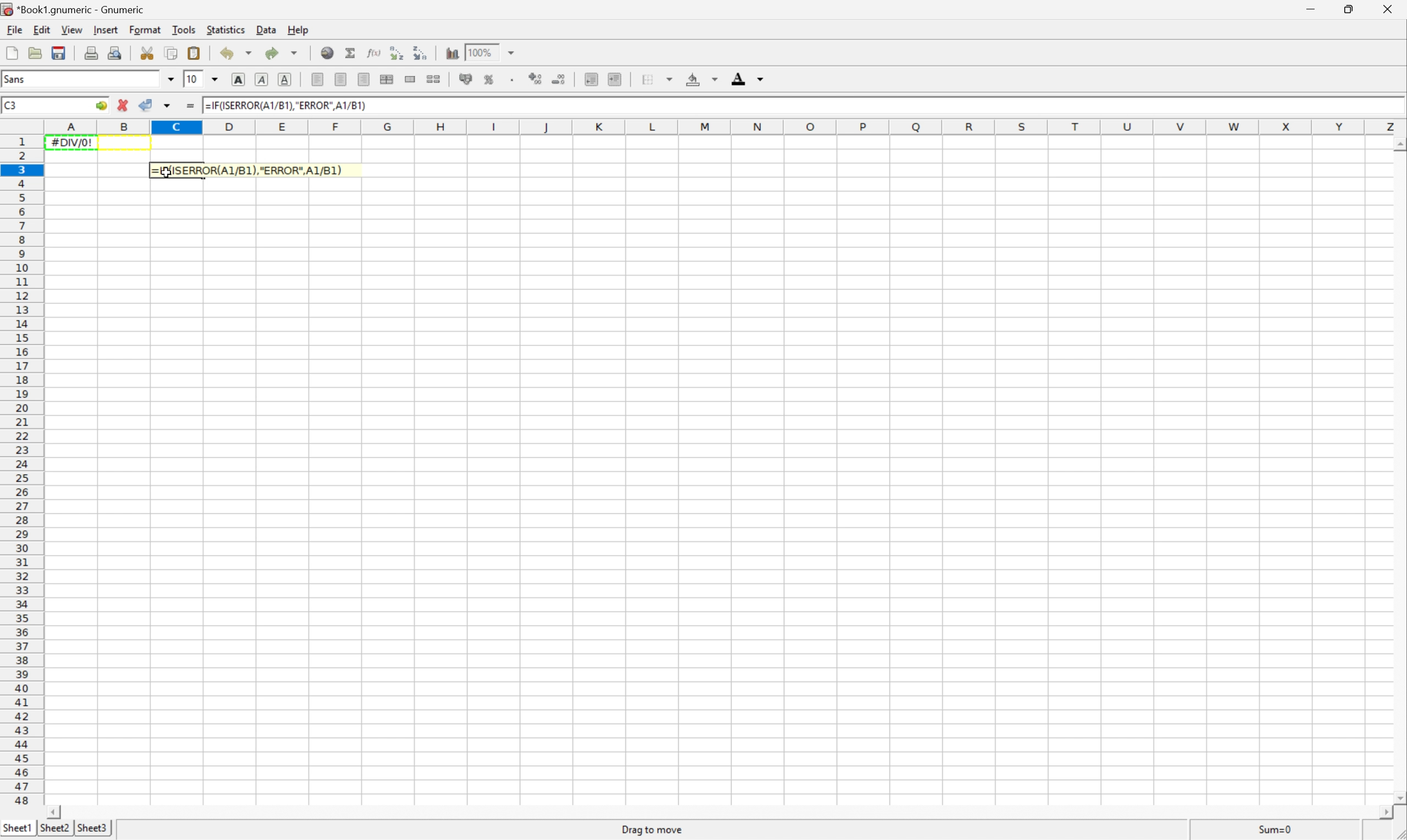 The width and height of the screenshot is (1407, 840). Describe the element at coordinates (148, 52) in the screenshot. I see `Cut the selection` at that location.